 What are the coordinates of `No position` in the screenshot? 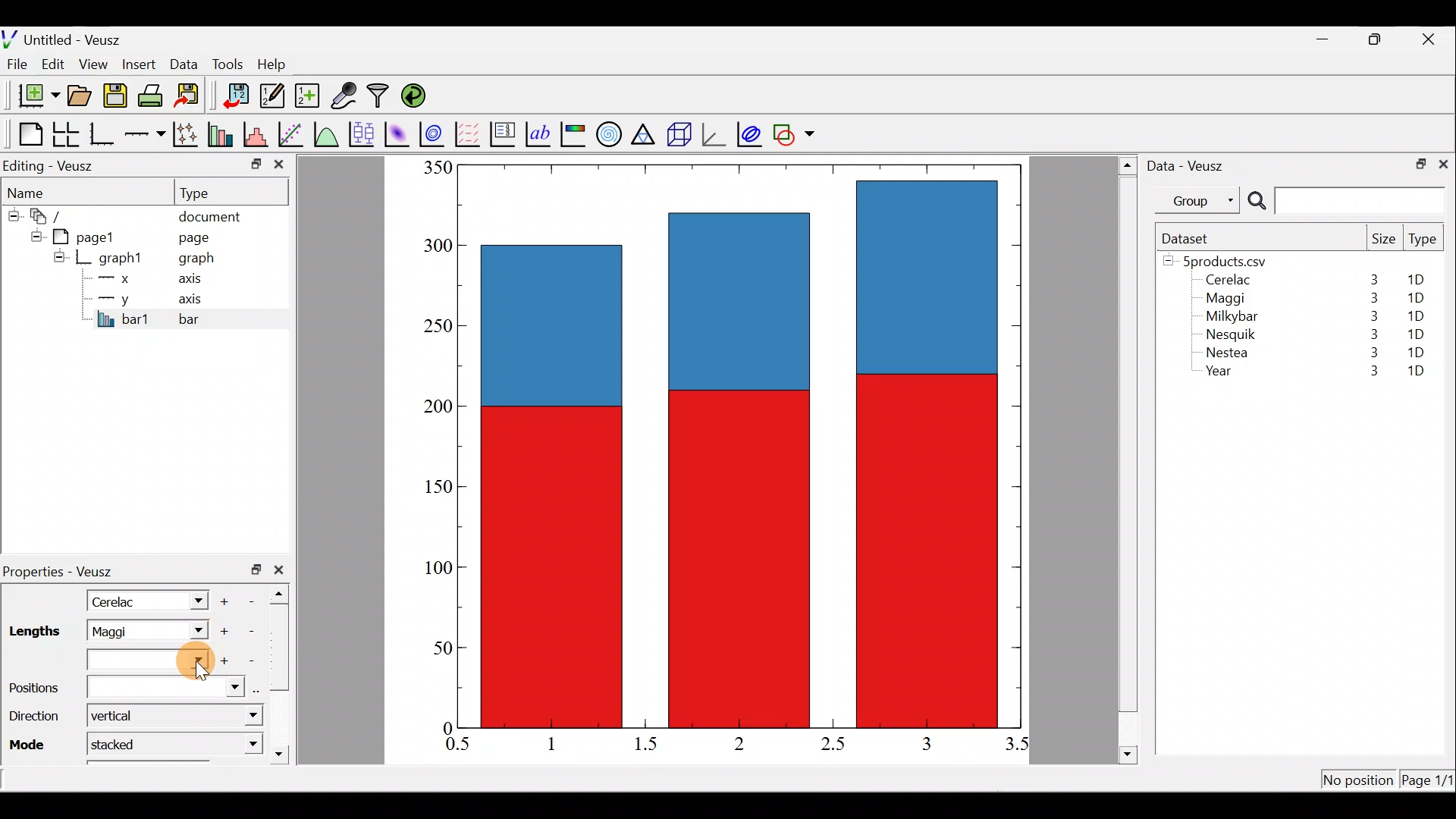 It's located at (1359, 781).